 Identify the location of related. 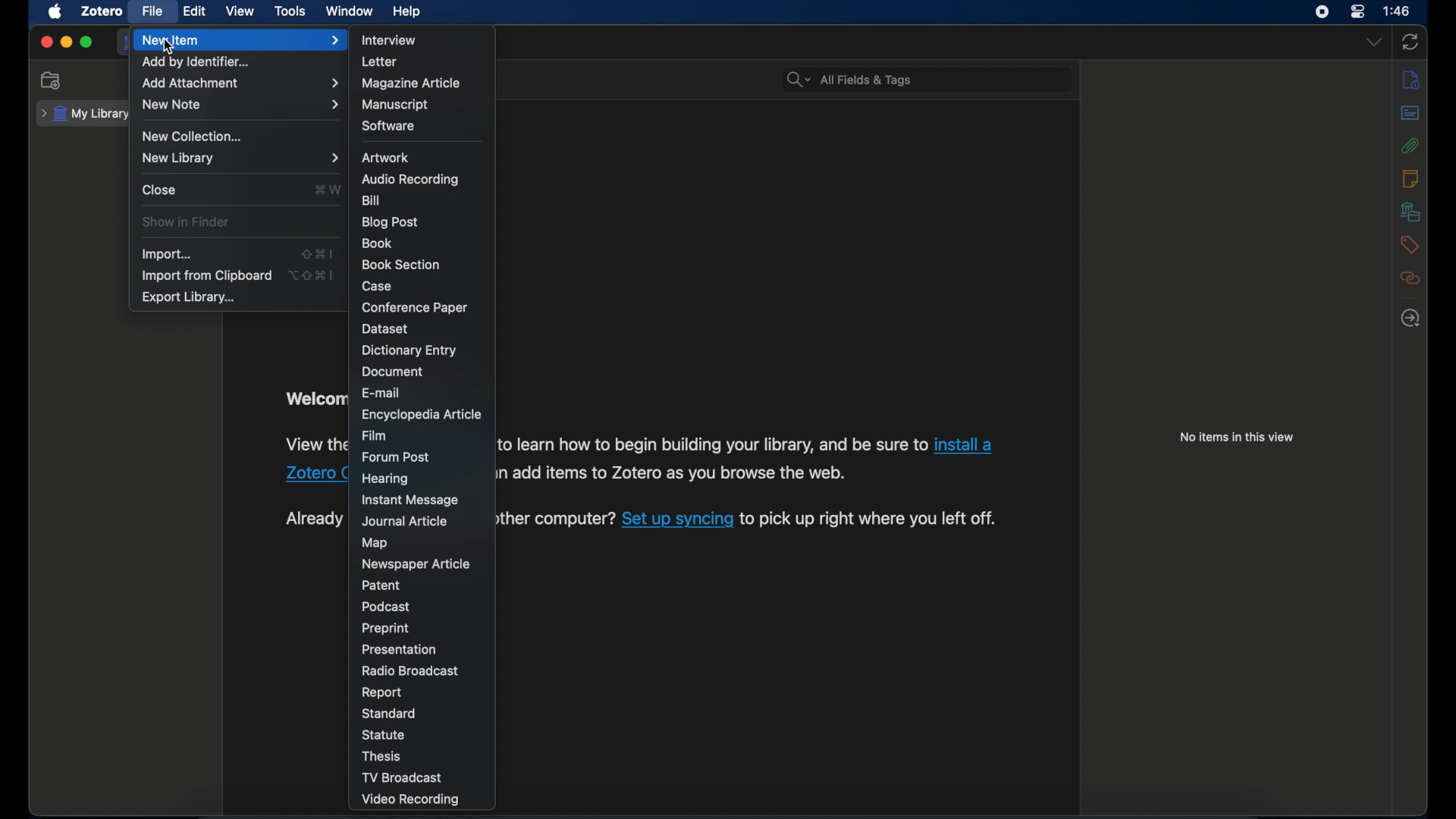
(1410, 278).